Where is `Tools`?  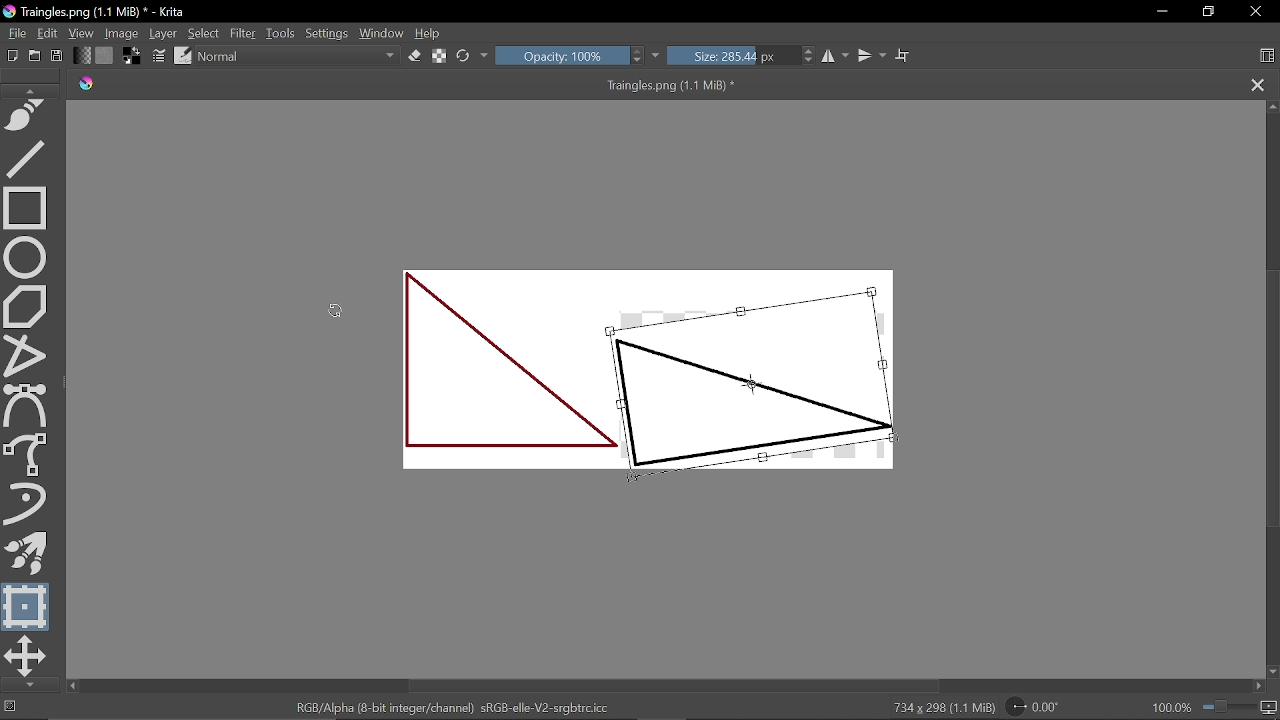
Tools is located at coordinates (282, 33).